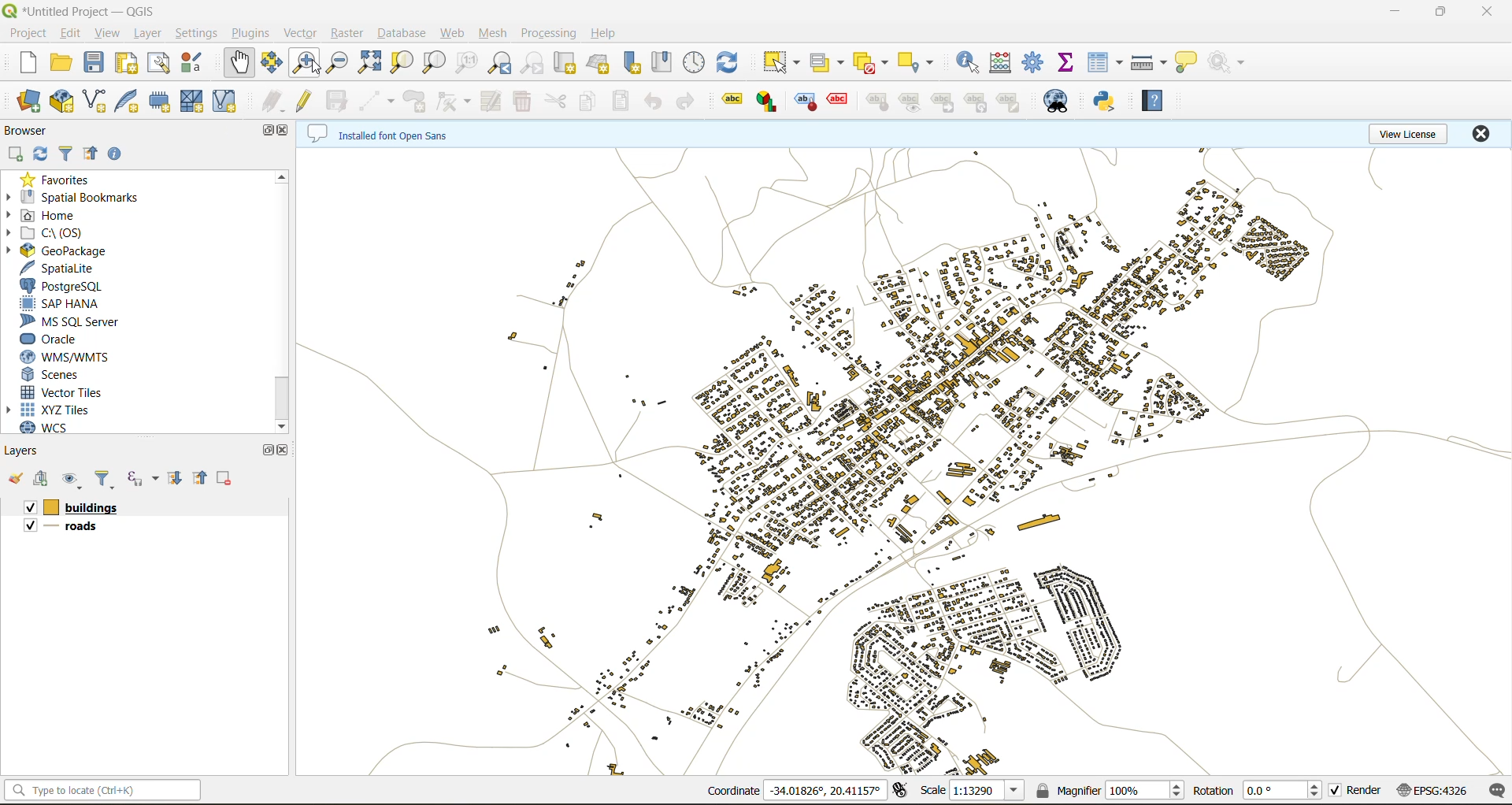 This screenshot has width=1512, height=805. I want to click on zoom next, so click(529, 64).